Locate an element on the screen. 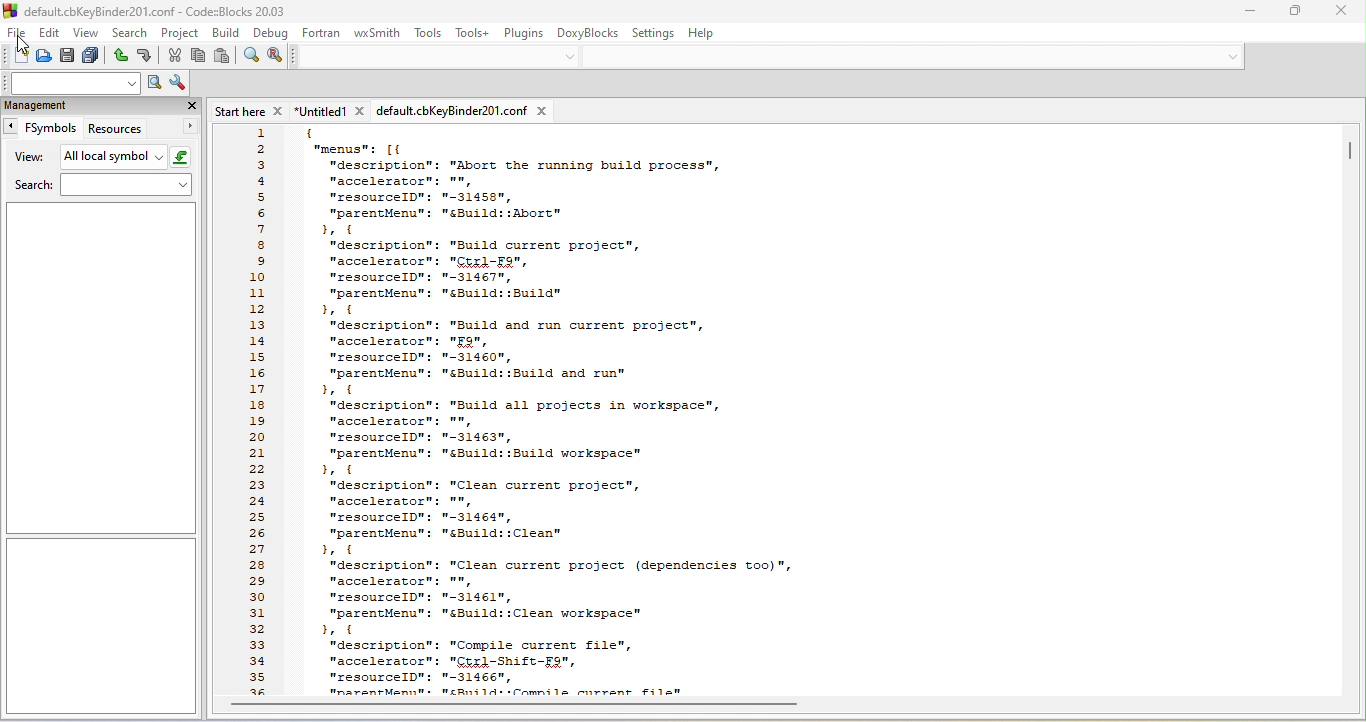 The image size is (1366, 722). resources is located at coordinates (141, 127).